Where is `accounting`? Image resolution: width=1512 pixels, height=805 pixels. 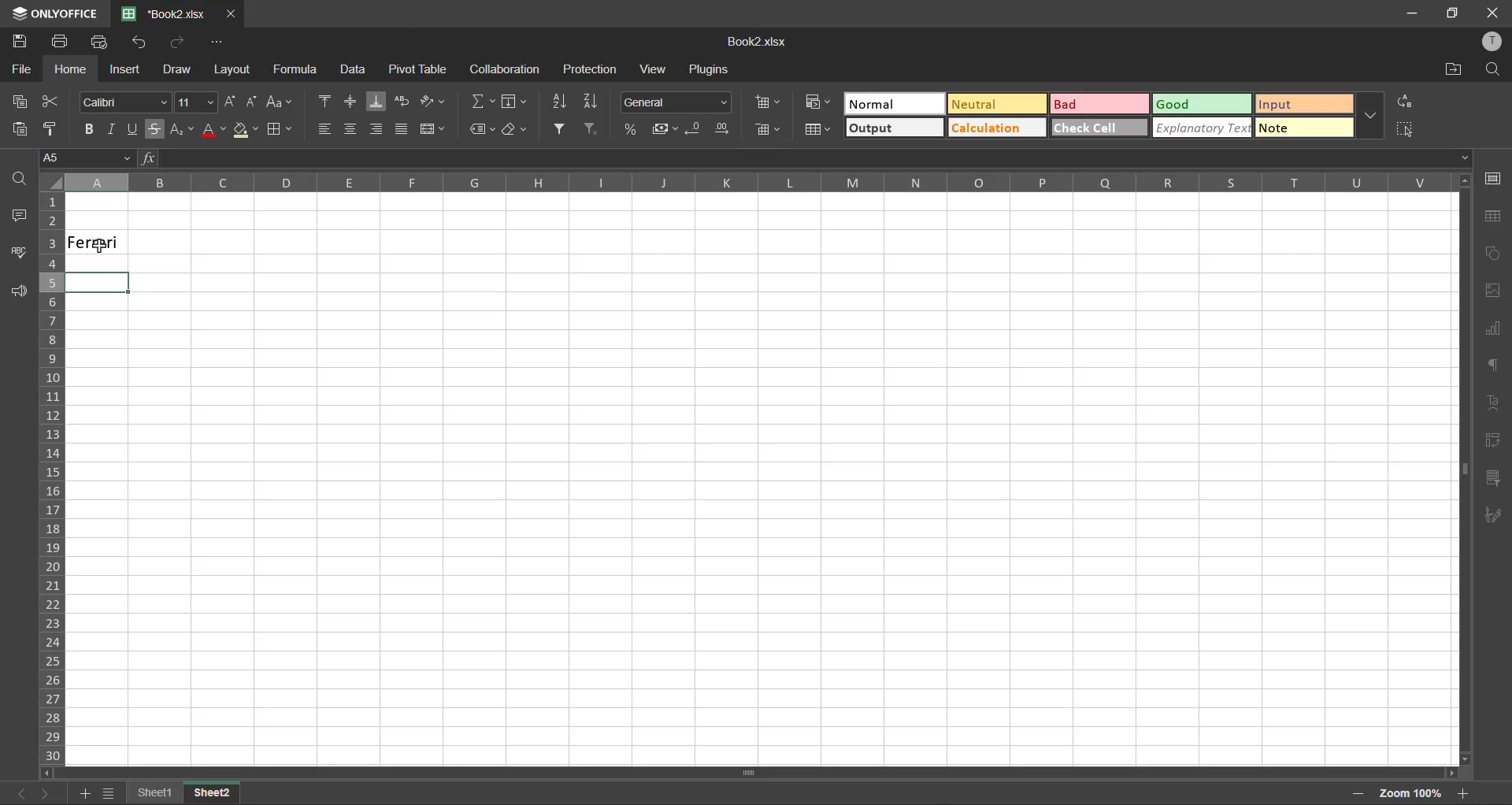
accounting is located at coordinates (664, 127).